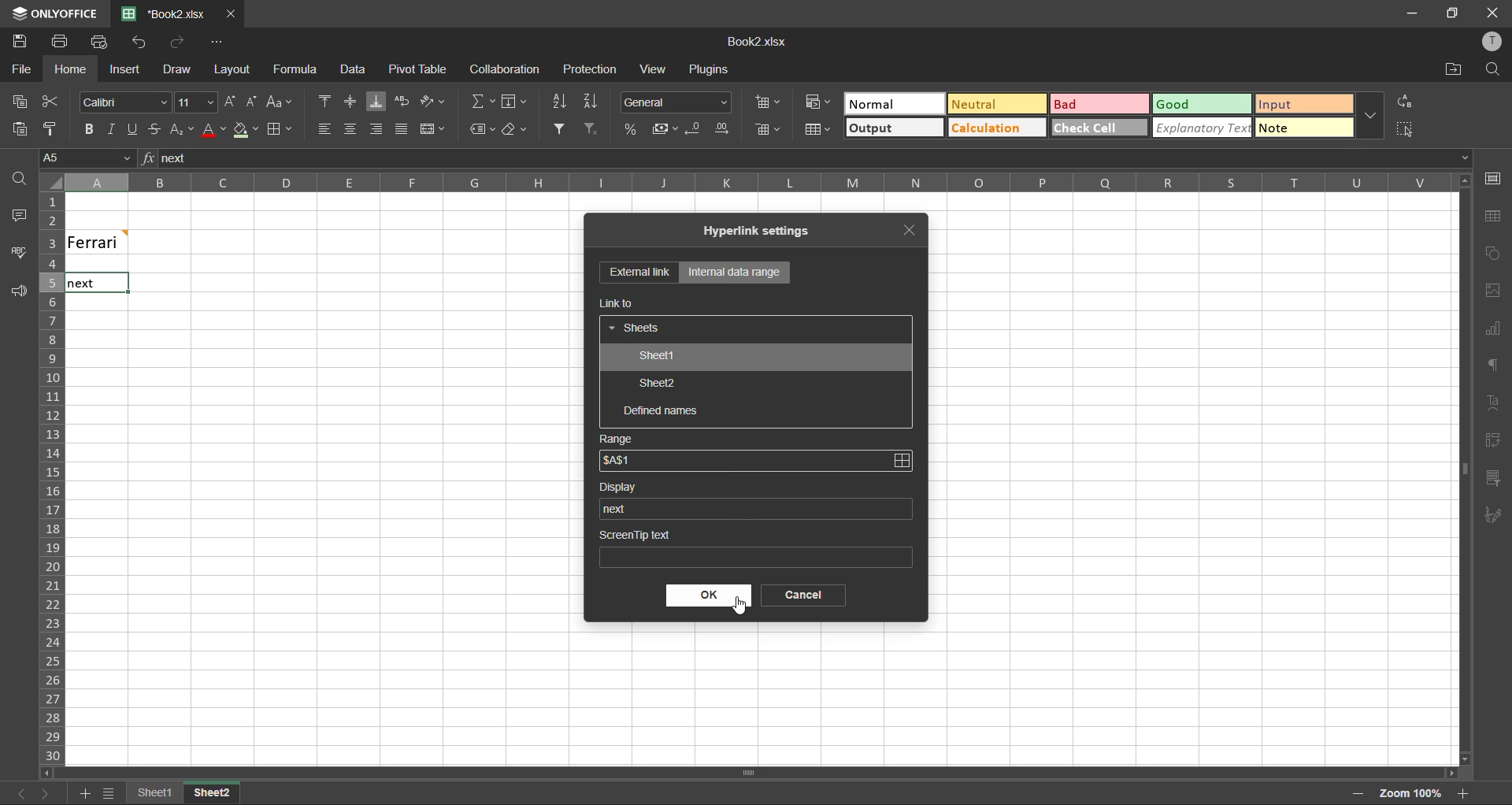 The image size is (1512, 805). Describe the element at coordinates (1404, 131) in the screenshot. I see `select all` at that location.